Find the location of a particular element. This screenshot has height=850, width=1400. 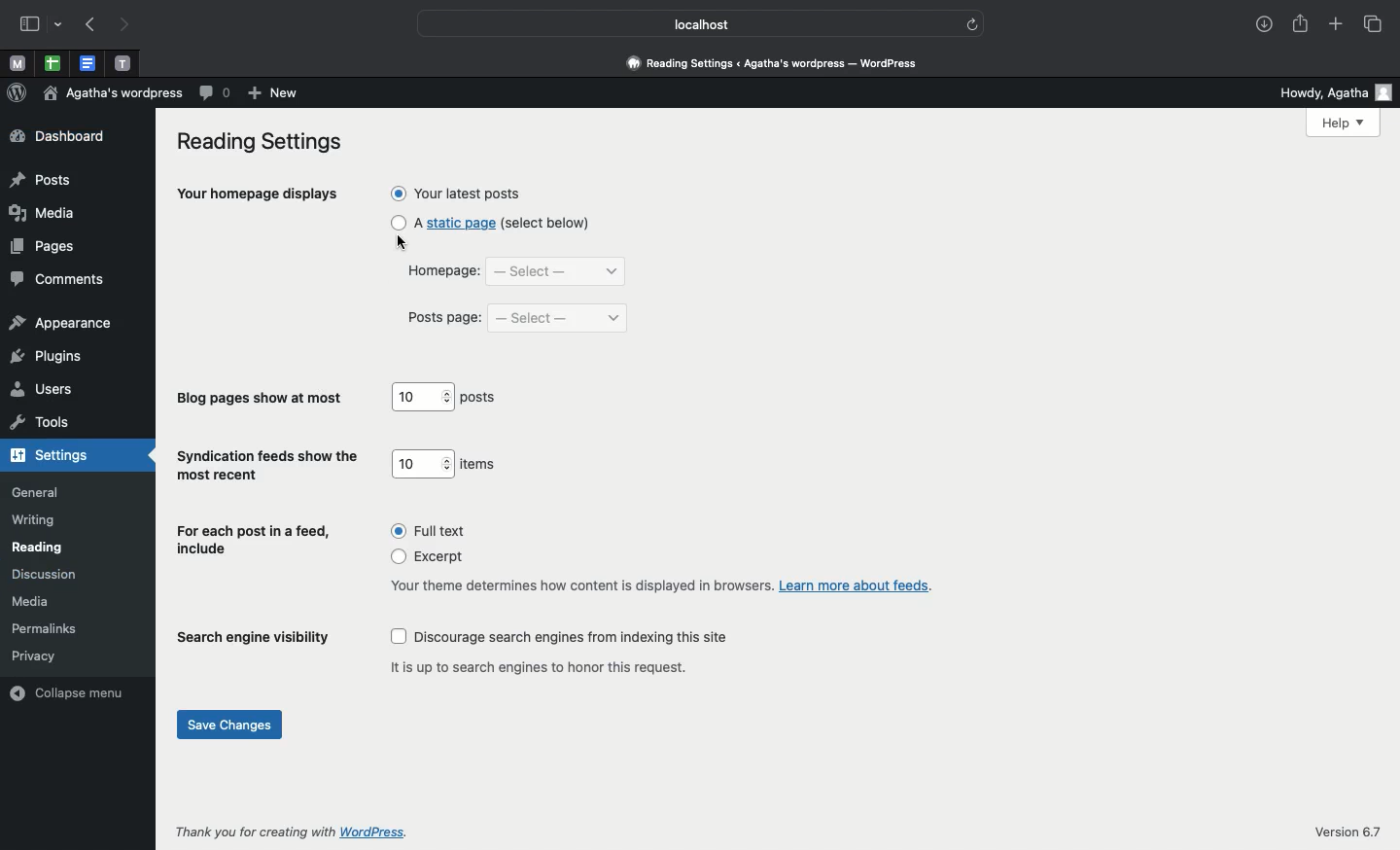

For each post in a feed, include is located at coordinates (256, 542).